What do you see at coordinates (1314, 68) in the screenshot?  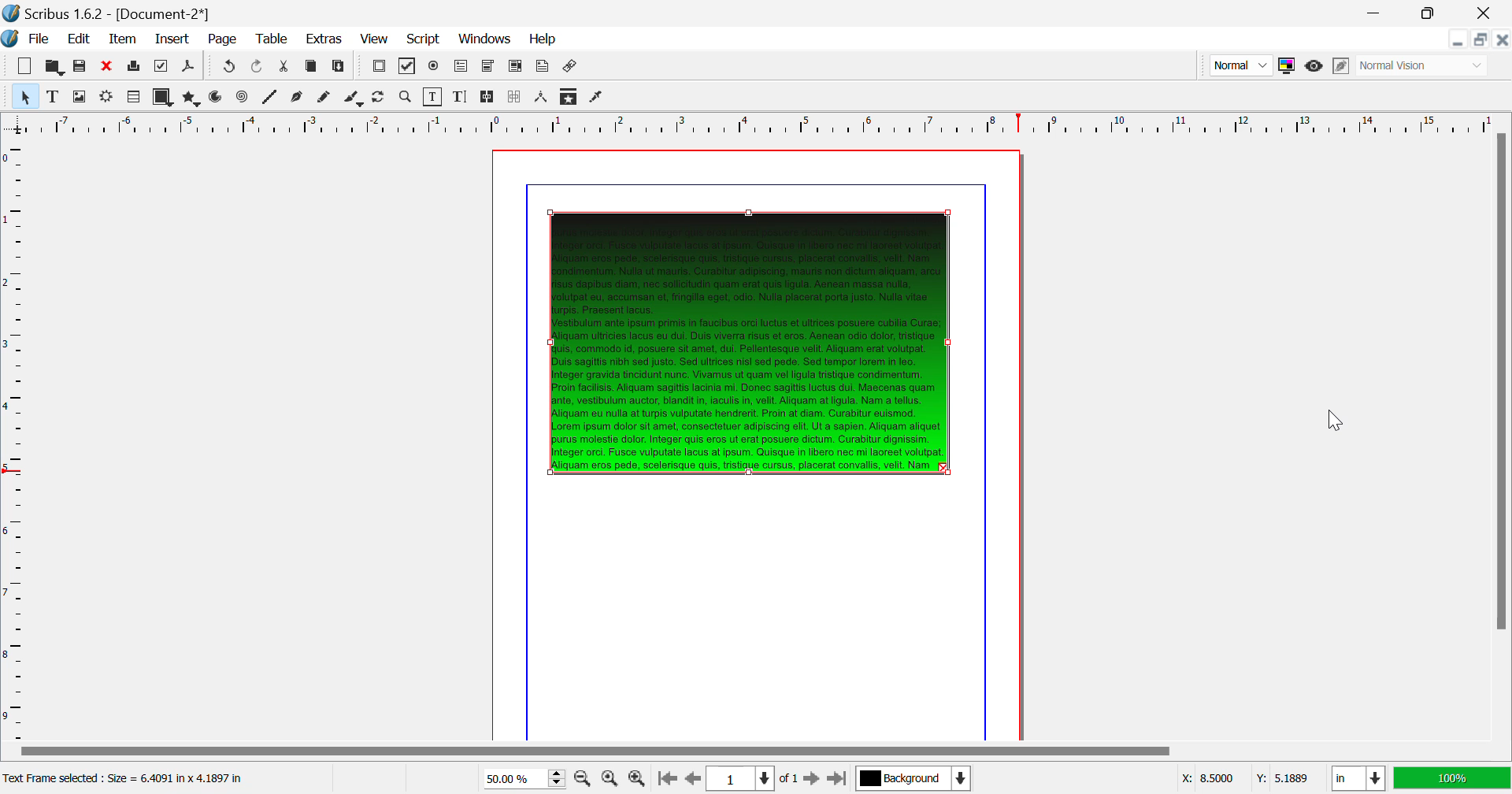 I see `Preview Mode` at bounding box center [1314, 68].